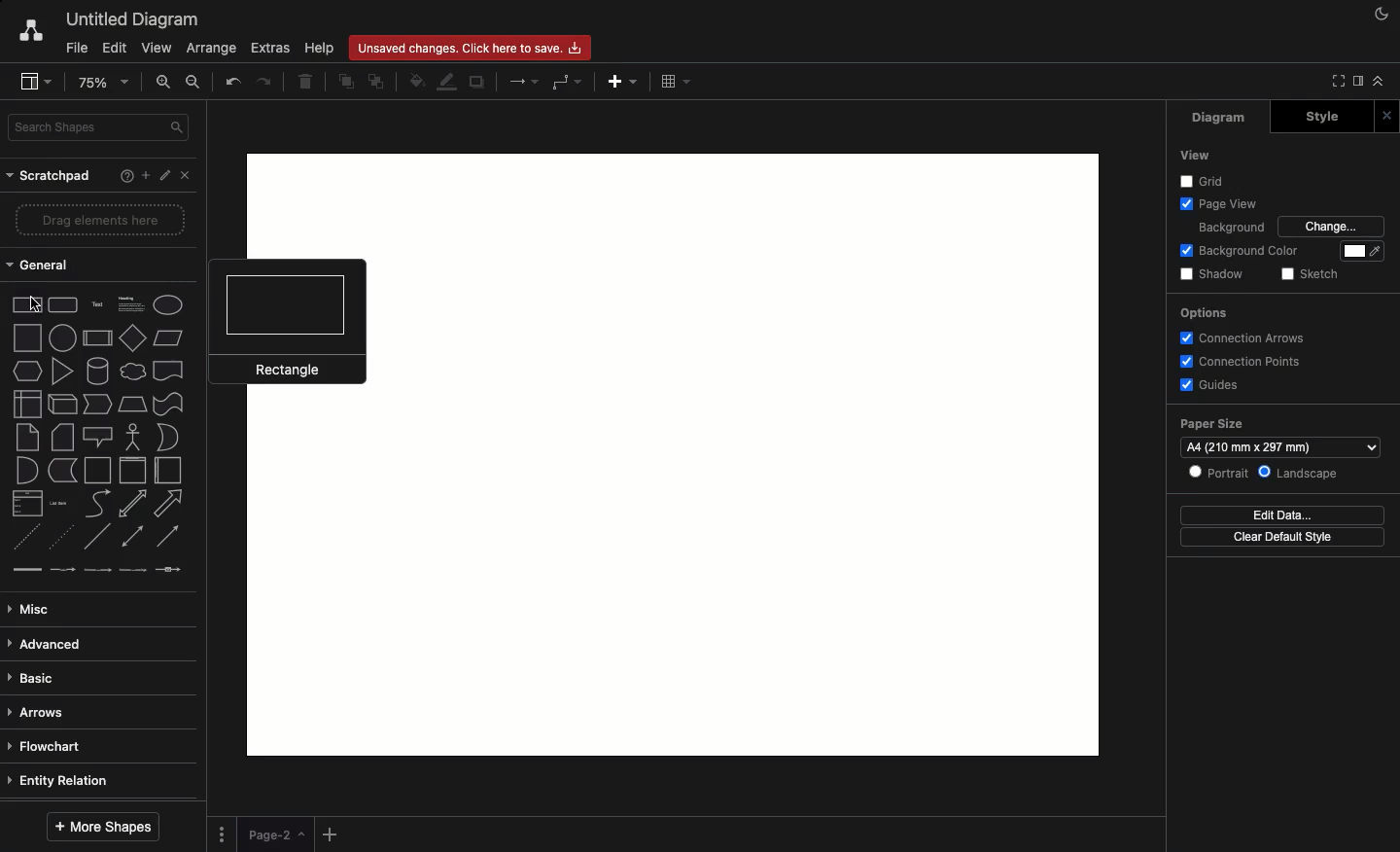  What do you see at coordinates (1334, 81) in the screenshot?
I see `Full screen` at bounding box center [1334, 81].